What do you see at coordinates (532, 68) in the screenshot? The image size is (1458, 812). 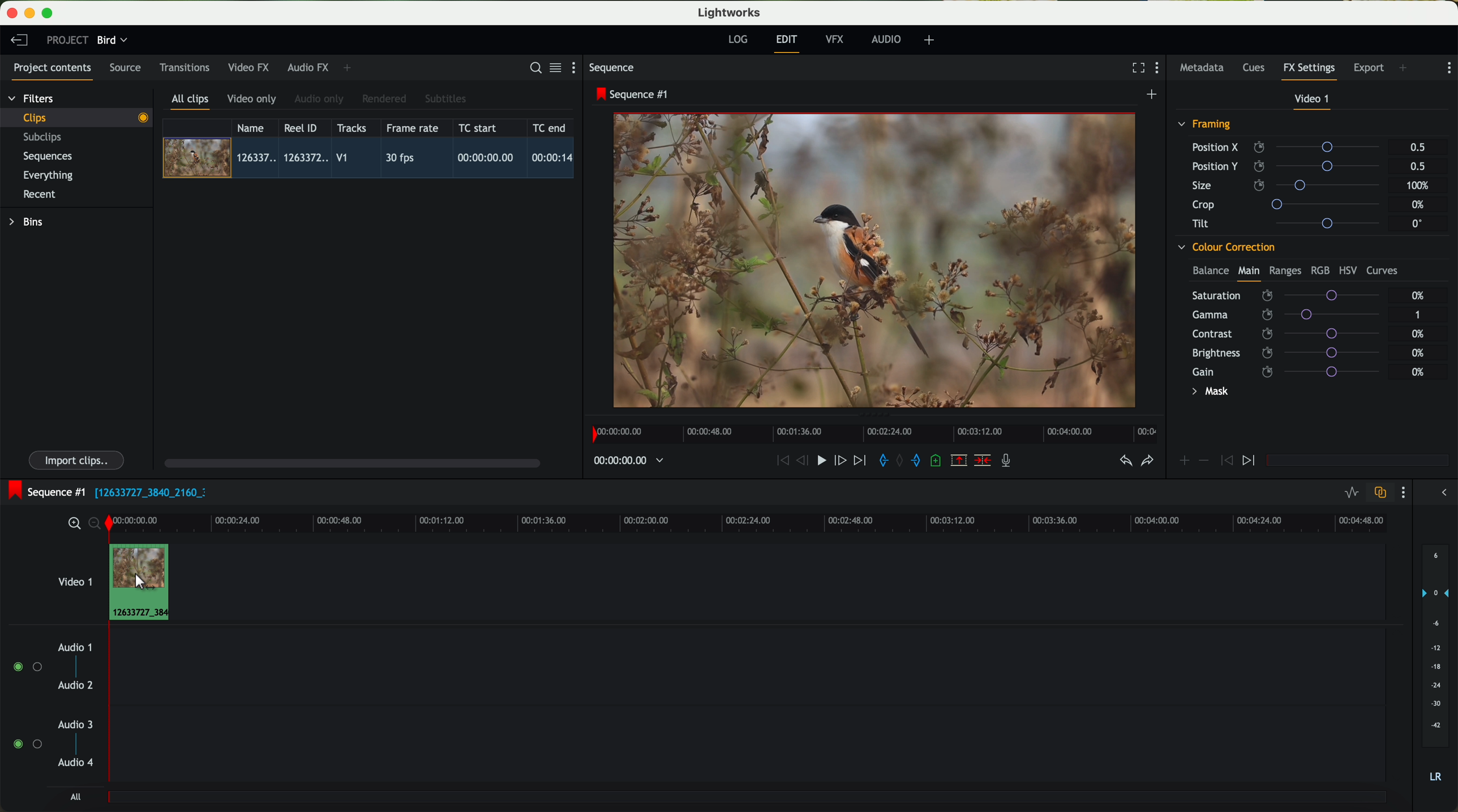 I see `search for assets or bins` at bounding box center [532, 68].